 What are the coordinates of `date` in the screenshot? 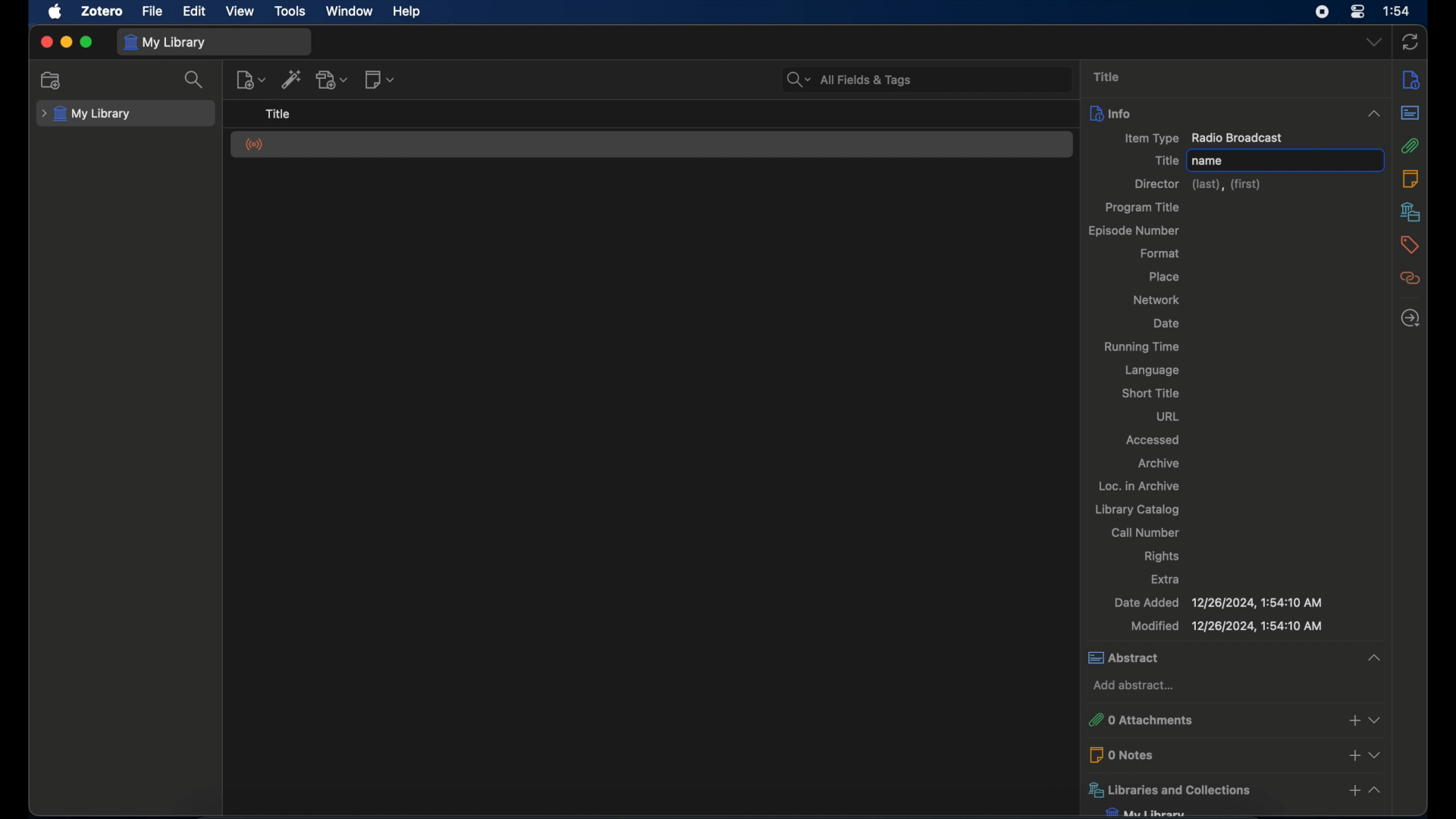 It's located at (1168, 324).